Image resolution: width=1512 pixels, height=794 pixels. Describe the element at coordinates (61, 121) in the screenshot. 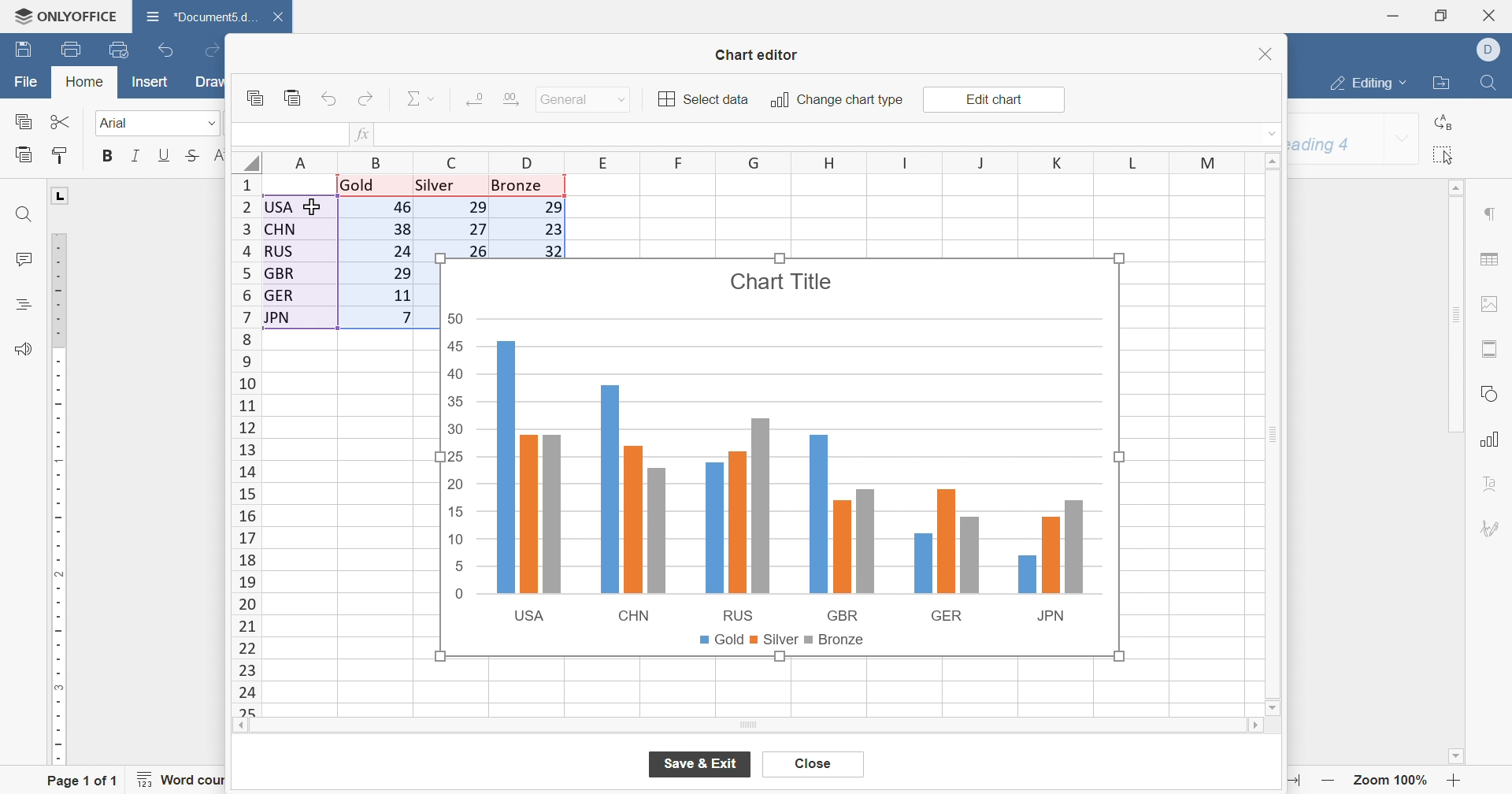

I see `Cut` at that location.